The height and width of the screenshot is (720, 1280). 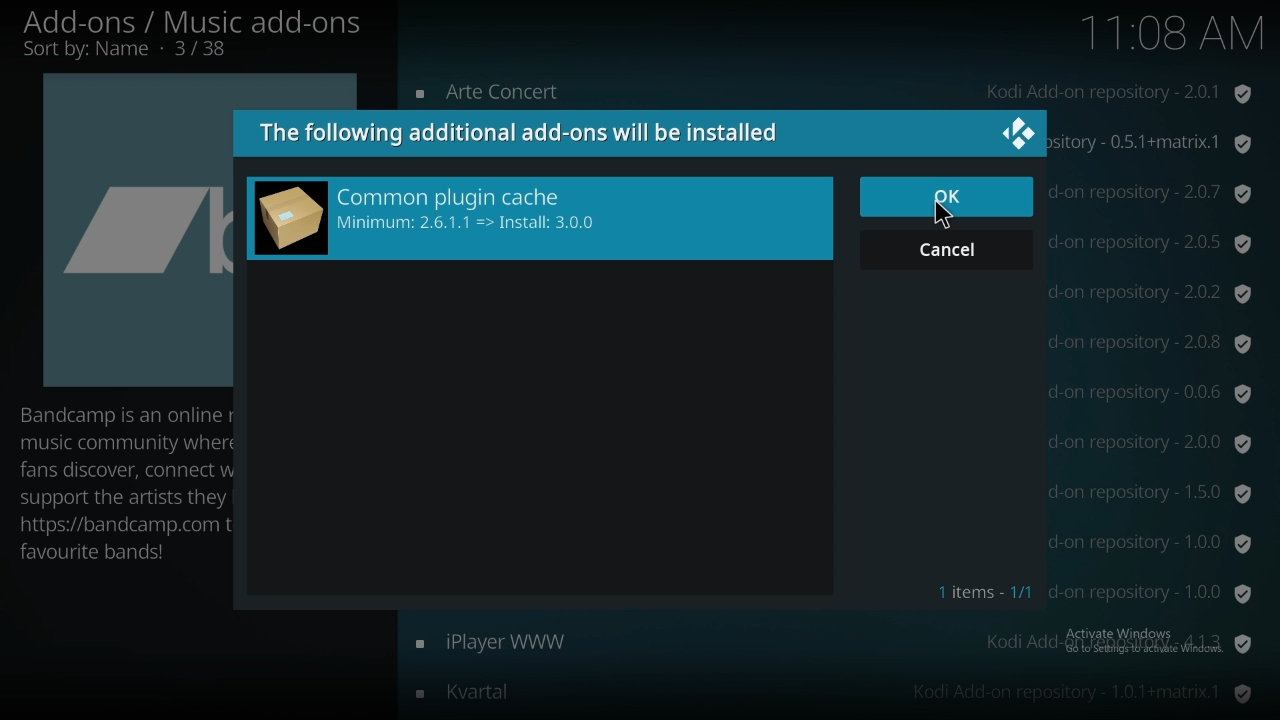 What do you see at coordinates (540, 218) in the screenshot?
I see `file` at bounding box center [540, 218].